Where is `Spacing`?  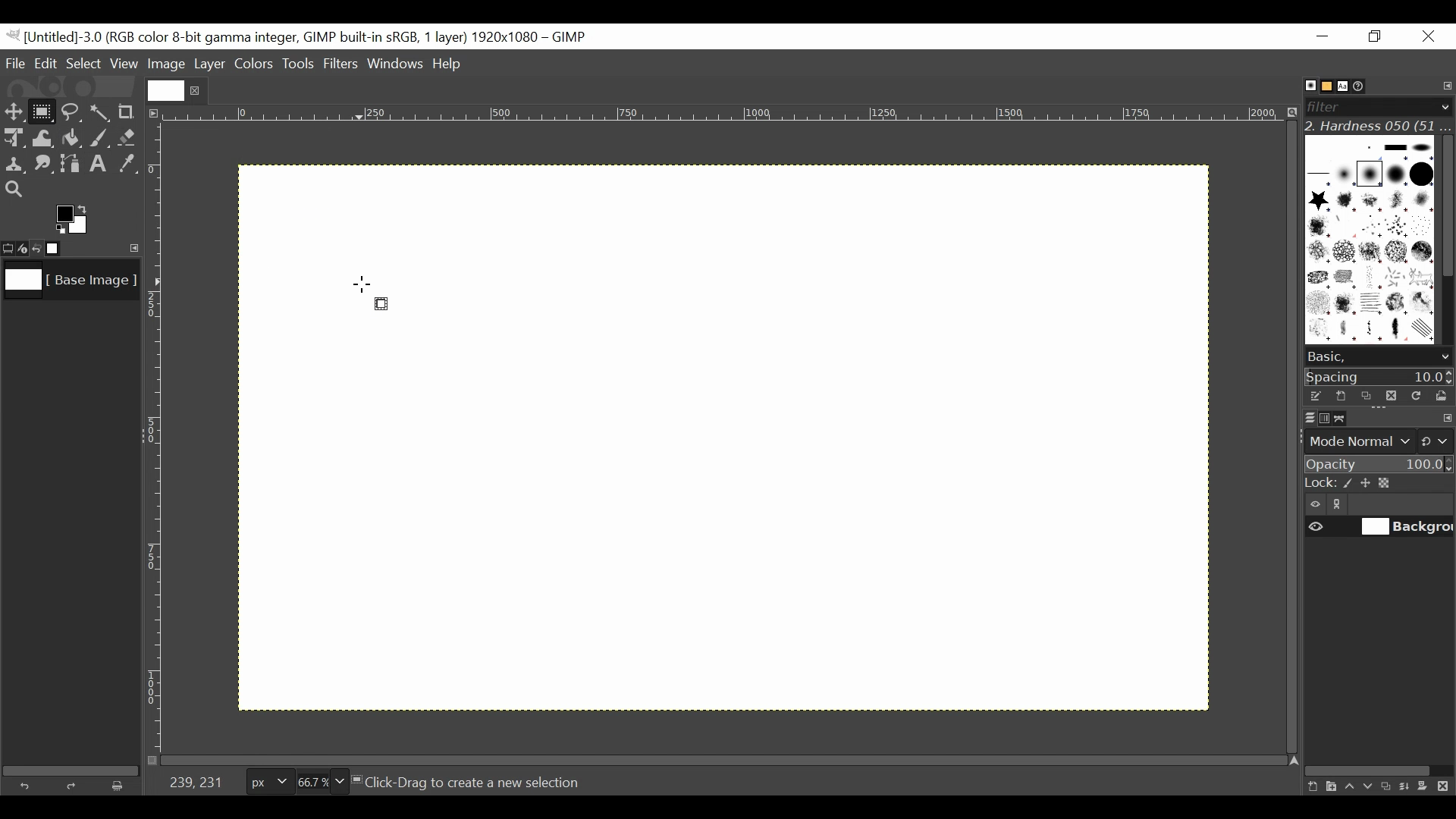 Spacing is located at coordinates (1379, 376).